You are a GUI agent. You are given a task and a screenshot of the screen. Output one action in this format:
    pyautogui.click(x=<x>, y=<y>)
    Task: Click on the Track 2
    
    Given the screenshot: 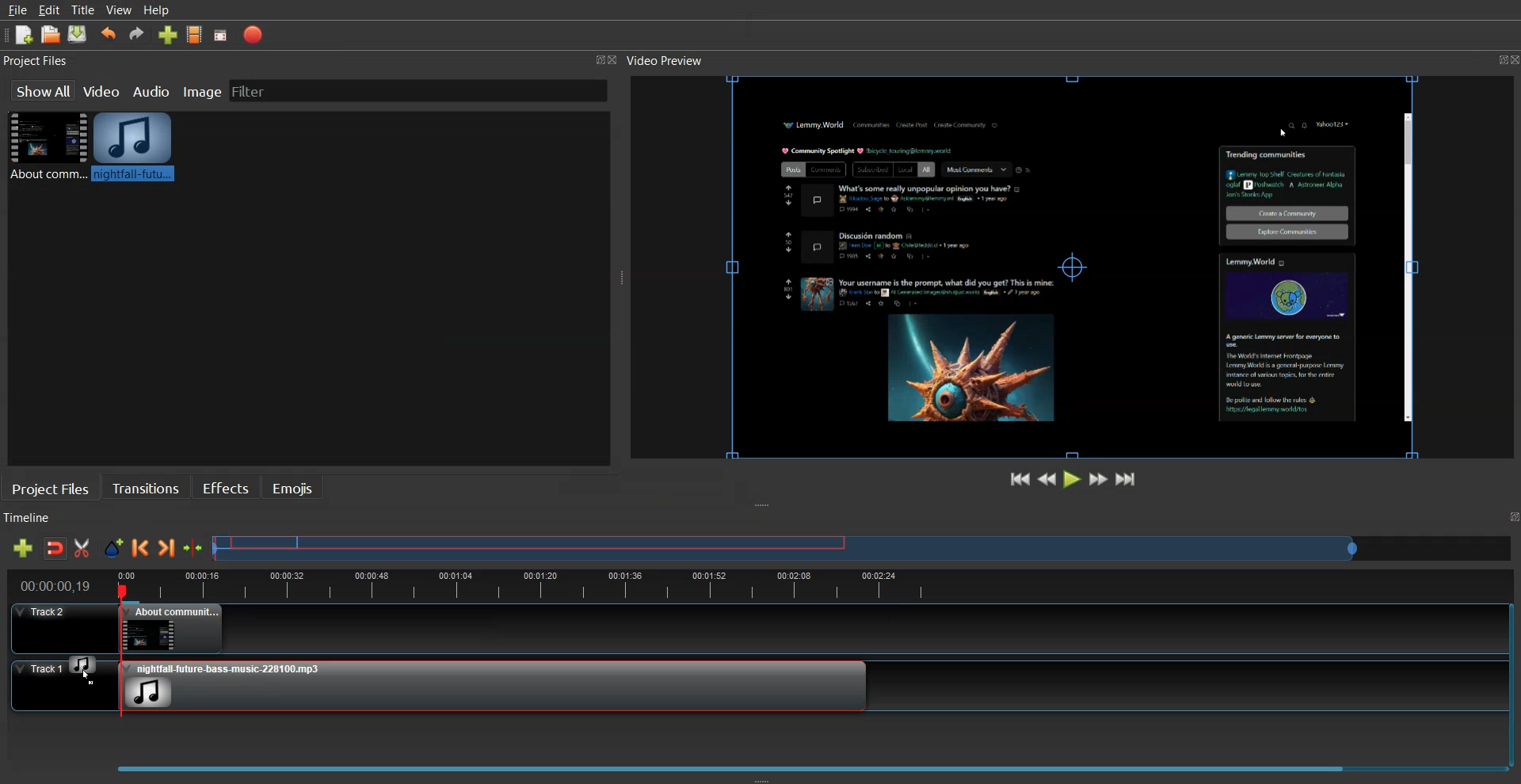 What is the action you would take?
    pyautogui.click(x=747, y=629)
    